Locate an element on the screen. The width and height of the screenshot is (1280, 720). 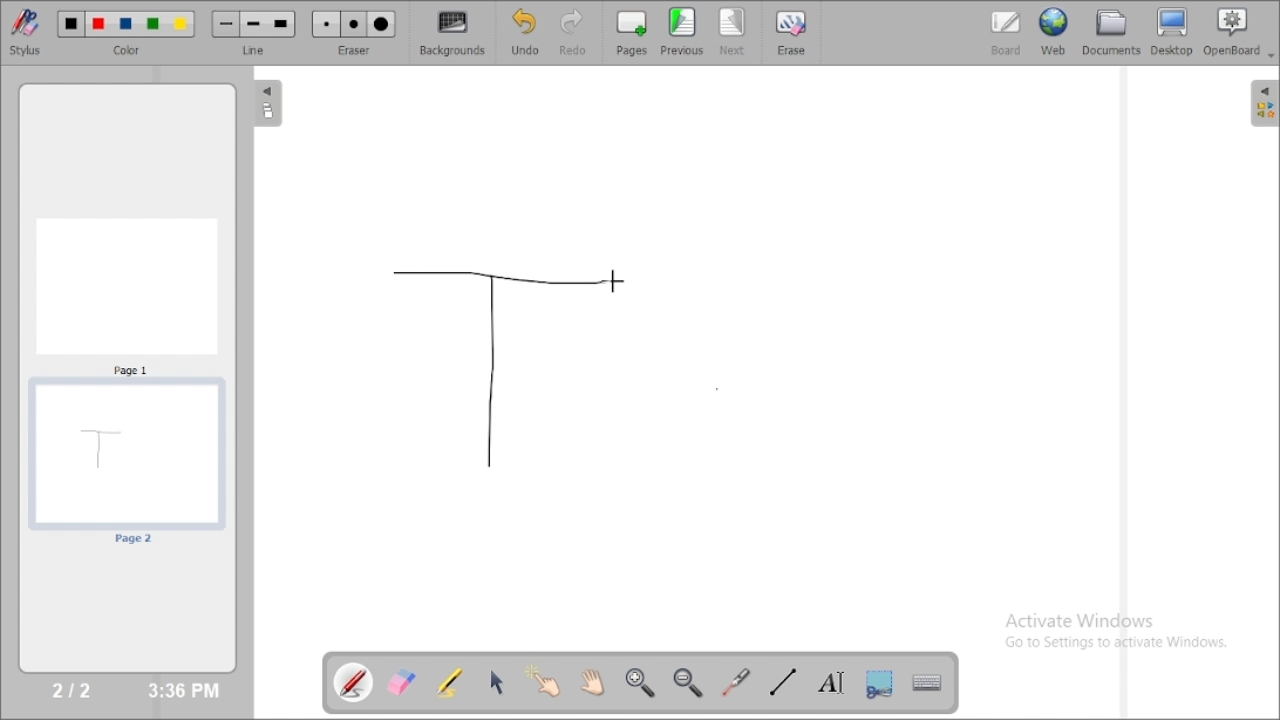
The flatplan (left panel) is located at coordinates (266, 105).